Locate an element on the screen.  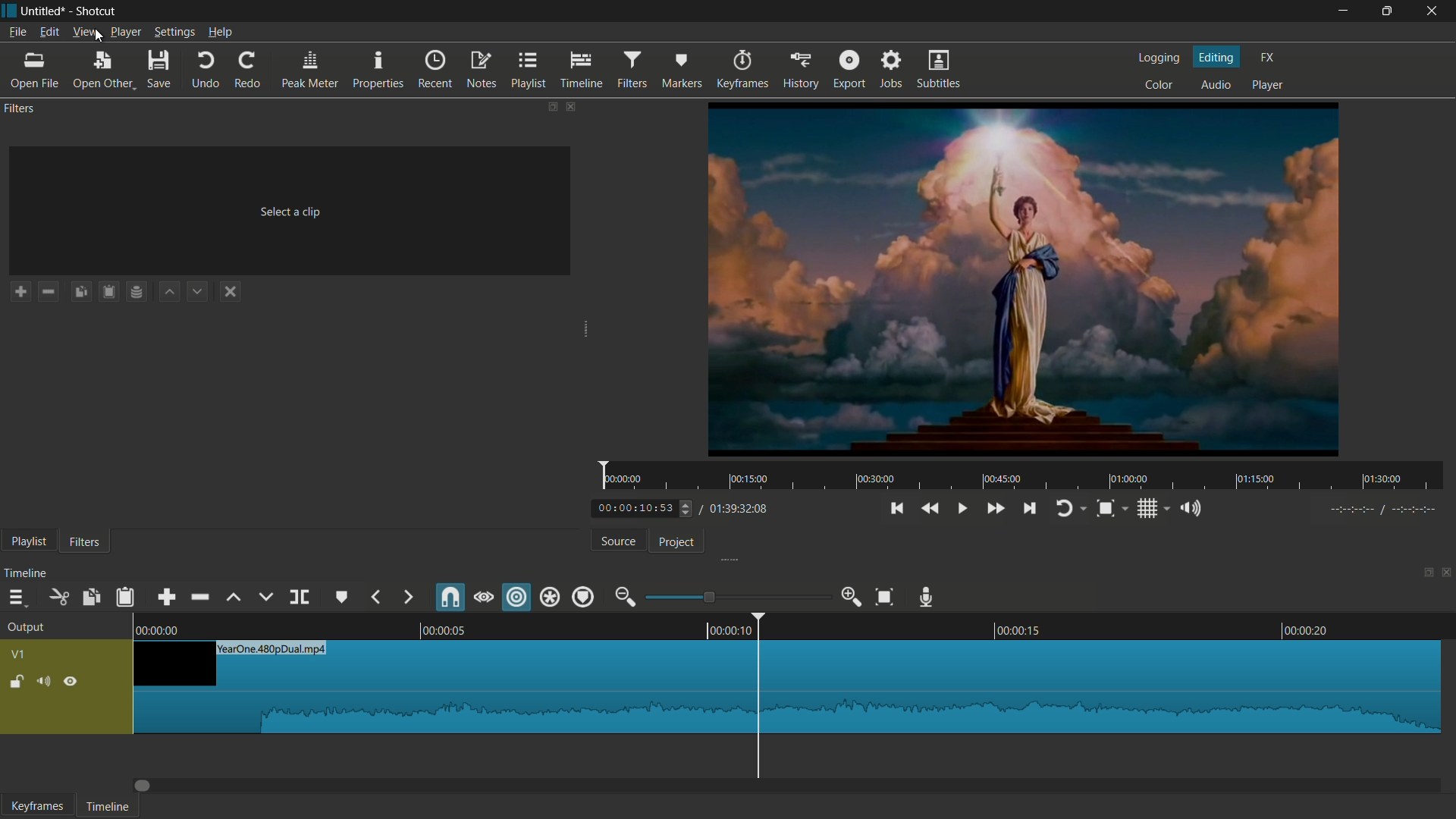
video in timeline is located at coordinates (787, 687).